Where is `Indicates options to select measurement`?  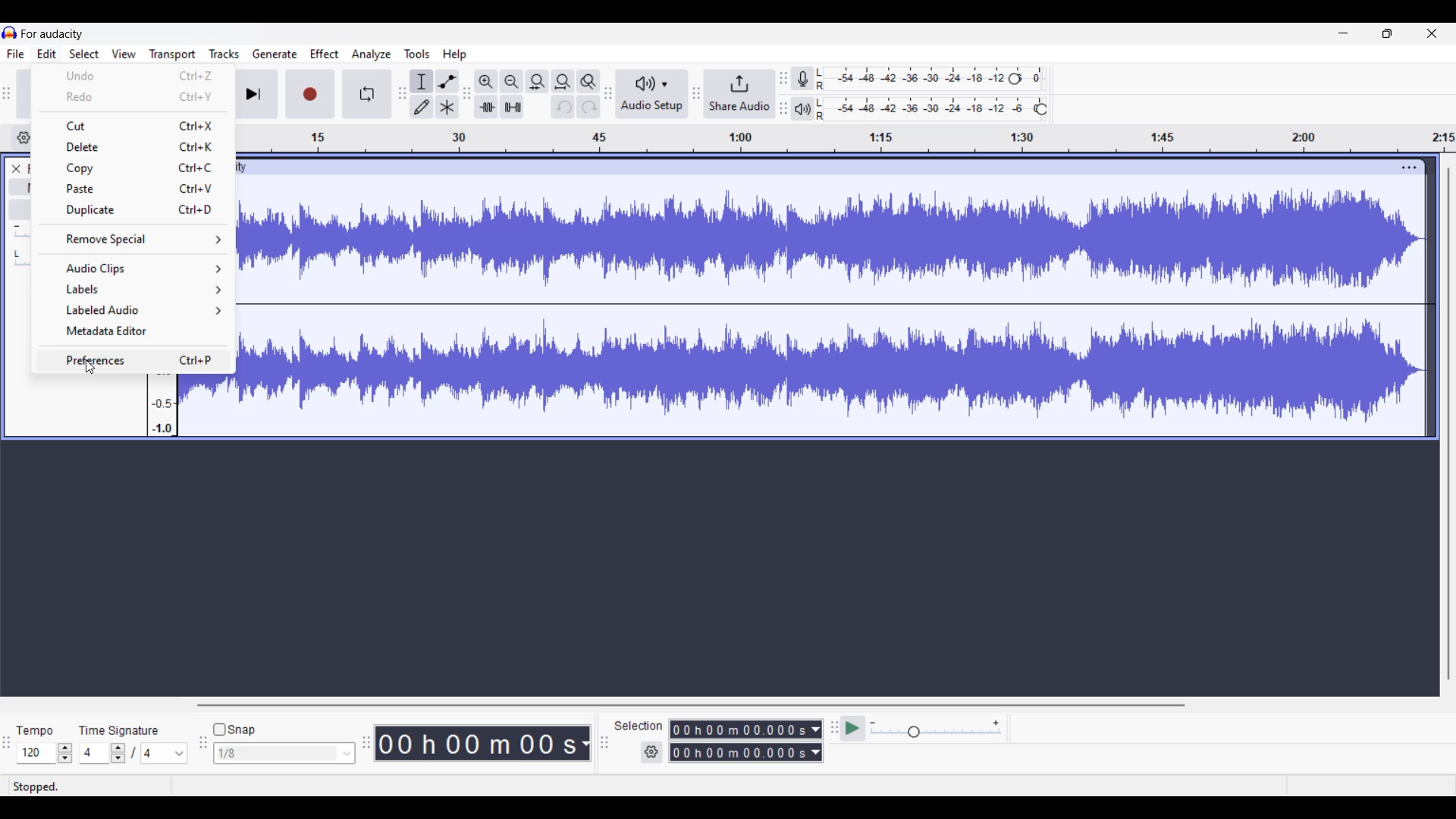
Indicates options to select measurement is located at coordinates (639, 726).